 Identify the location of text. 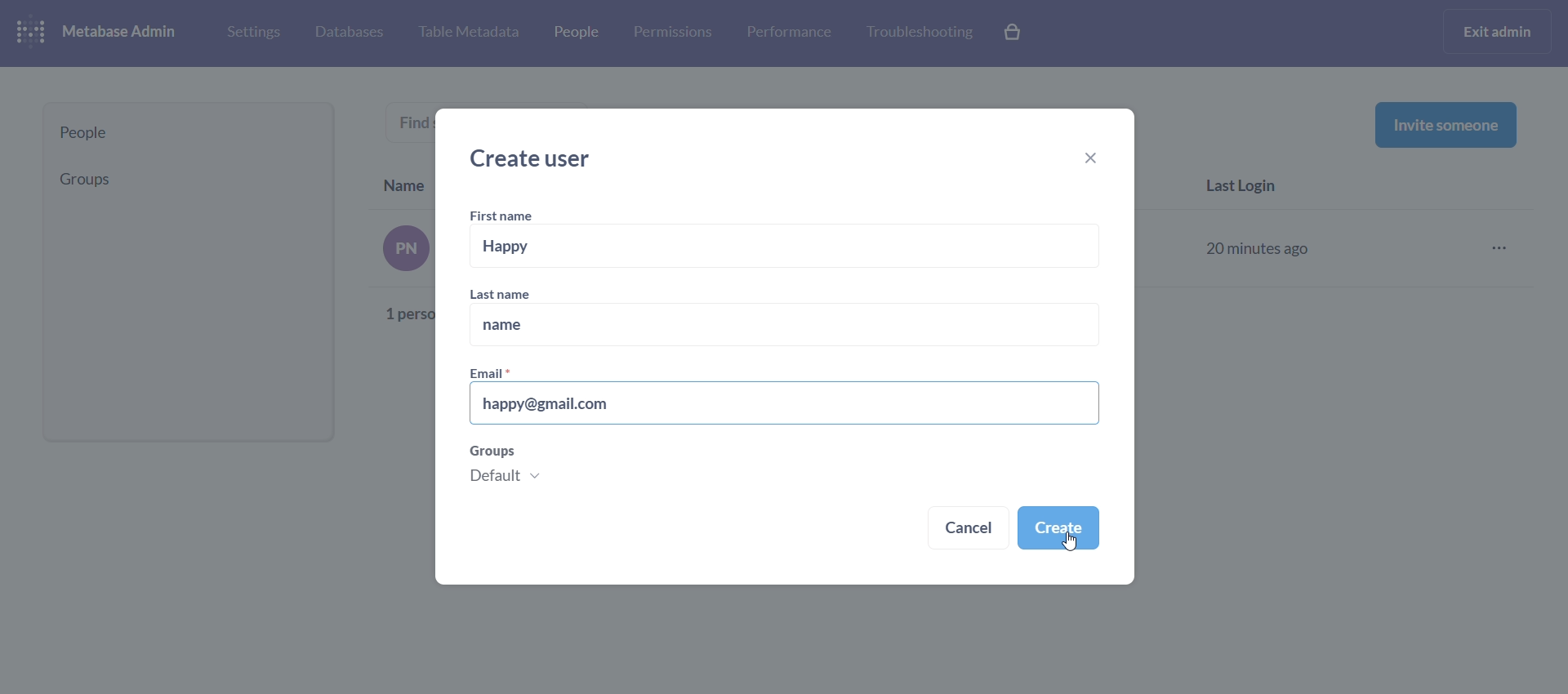
(401, 276).